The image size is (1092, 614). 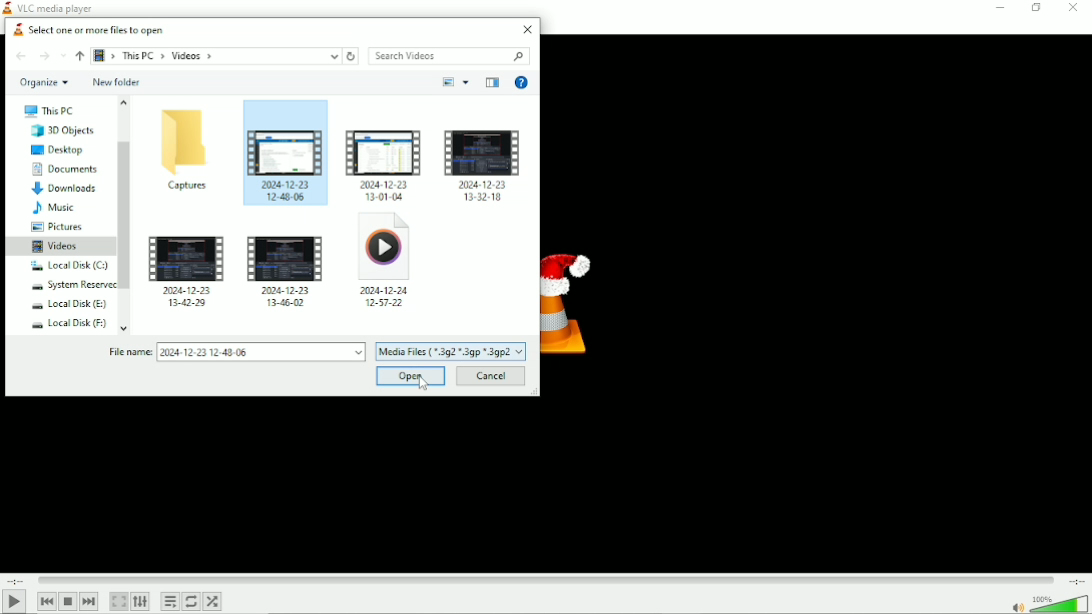 I want to click on Cancel, so click(x=490, y=376).